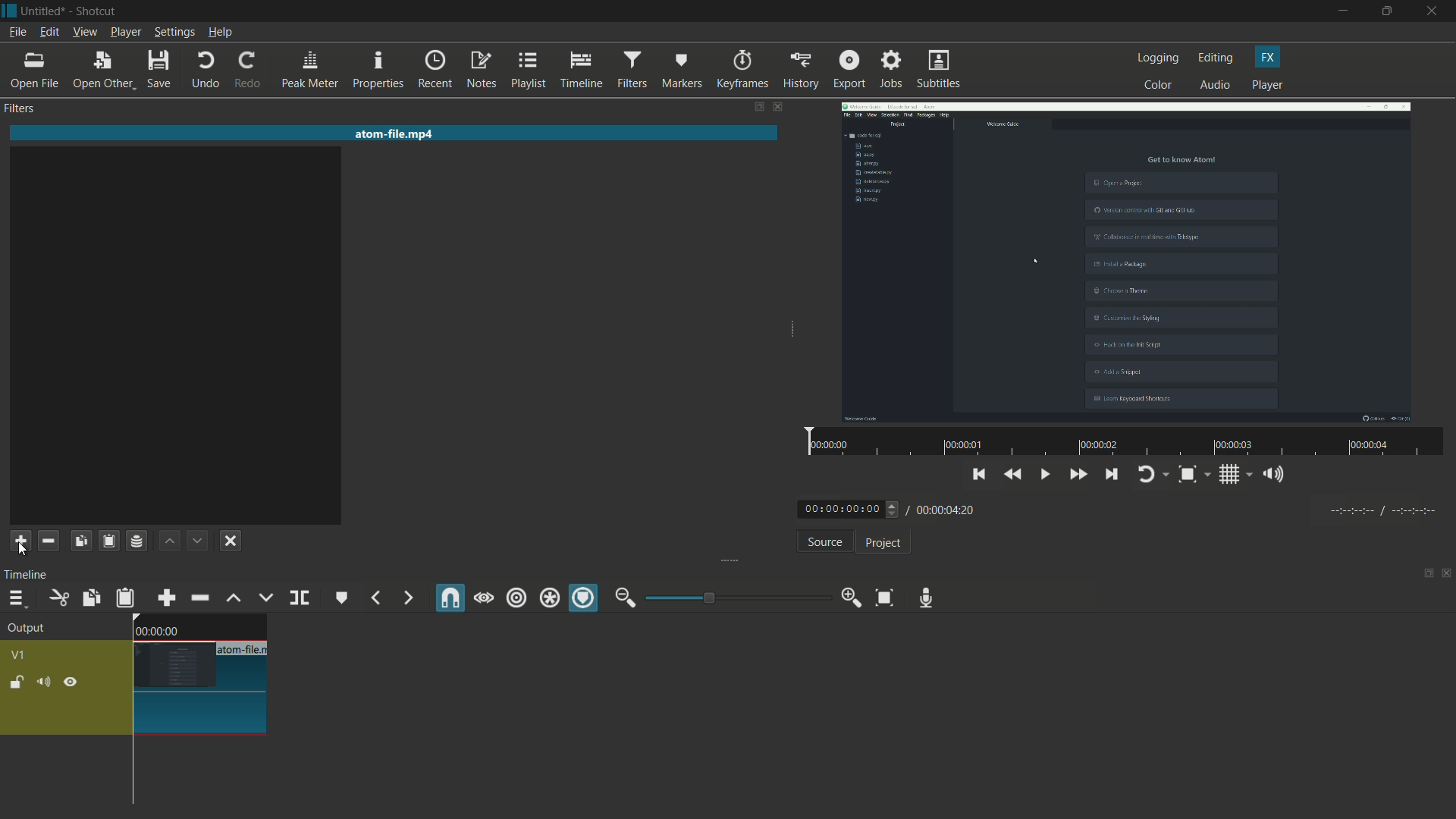  What do you see at coordinates (881, 543) in the screenshot?
I see `project` at bounding box center [881, 543].